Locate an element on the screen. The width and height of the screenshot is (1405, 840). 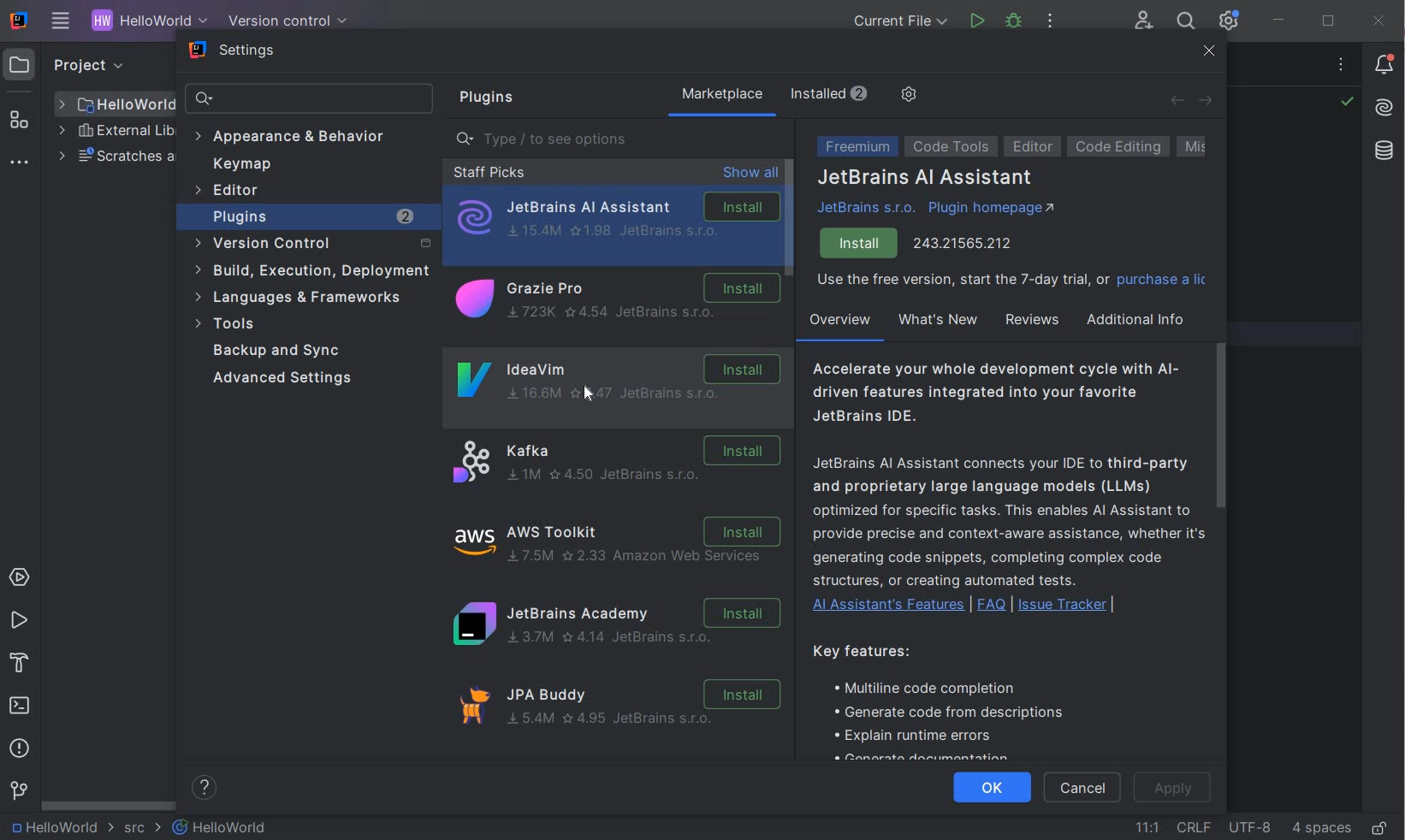
scrollbar is located at coordinates (791, 218).